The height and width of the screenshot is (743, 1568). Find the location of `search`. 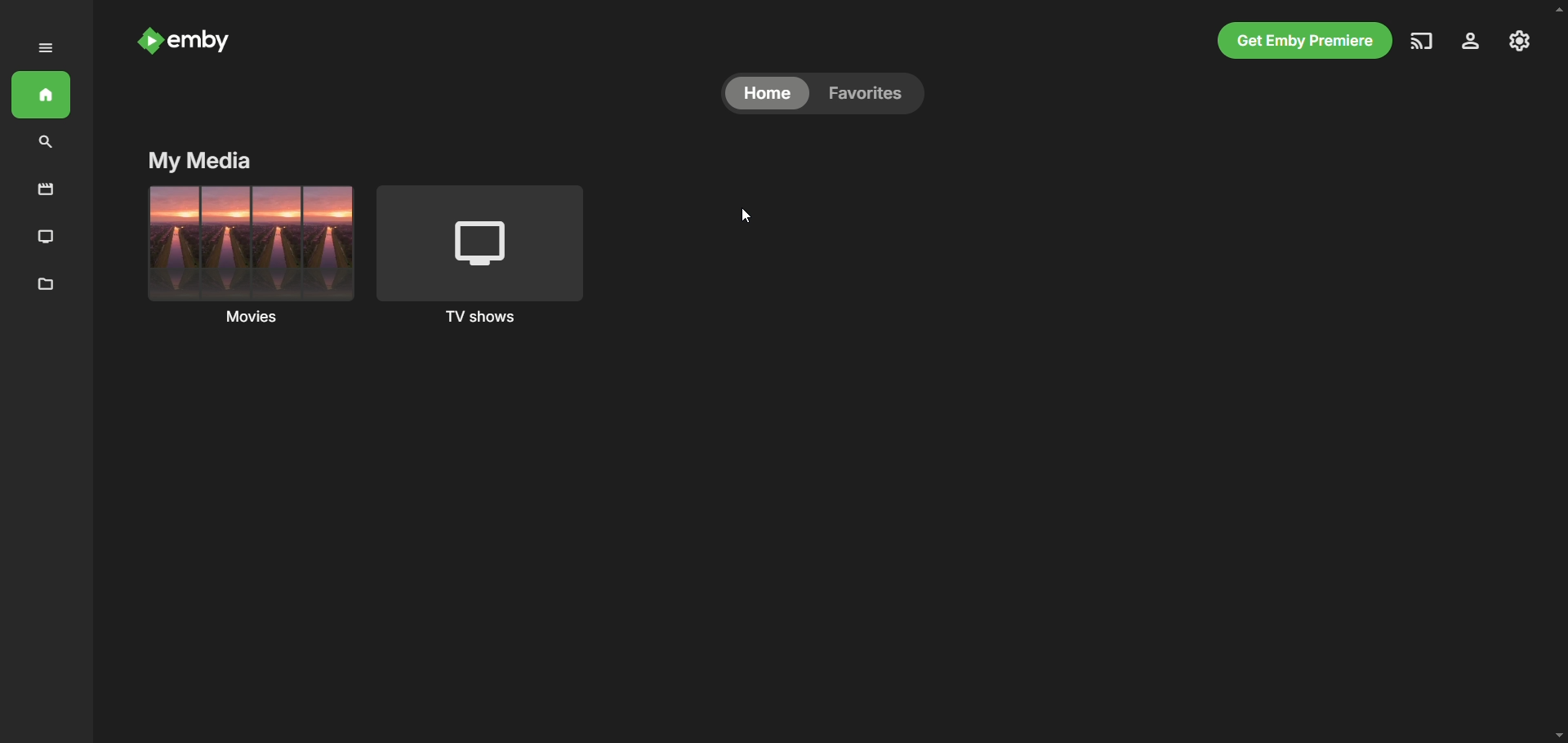

search is located at coordinates (47, 143).